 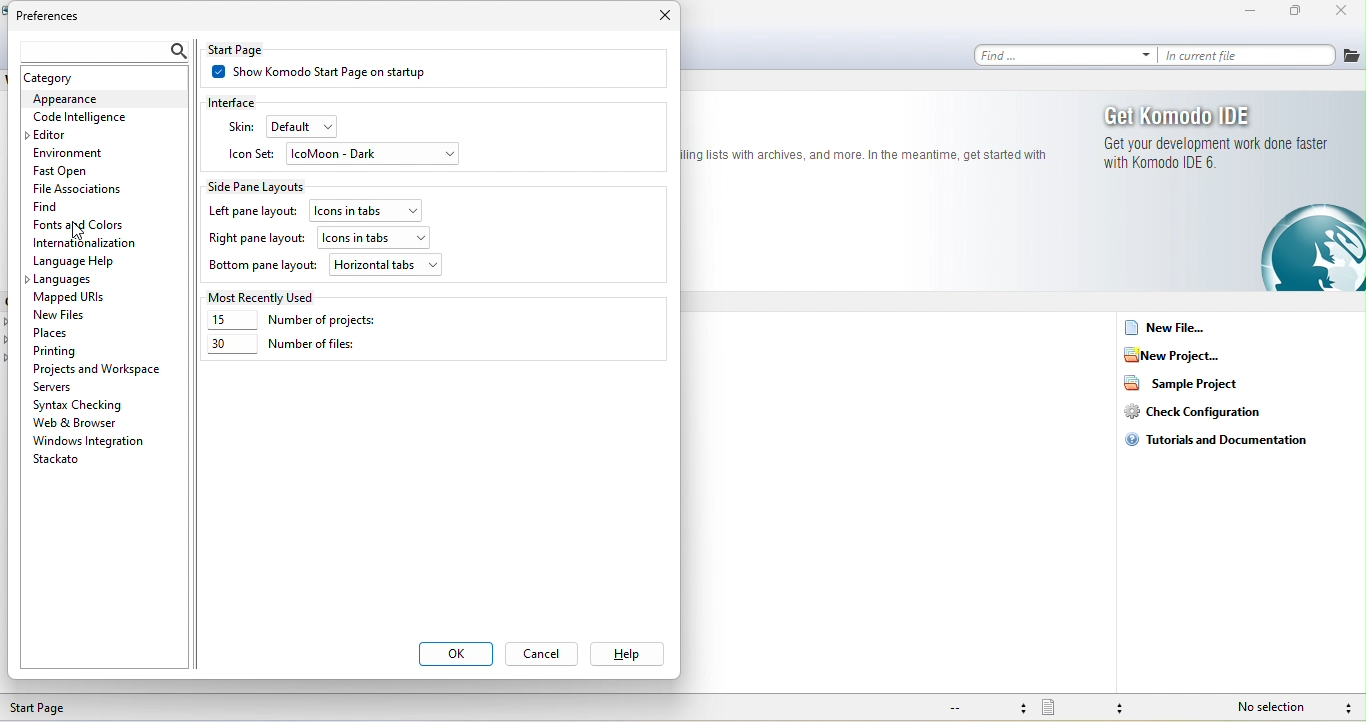 I want to click on languages, so click(x=78, y=280).